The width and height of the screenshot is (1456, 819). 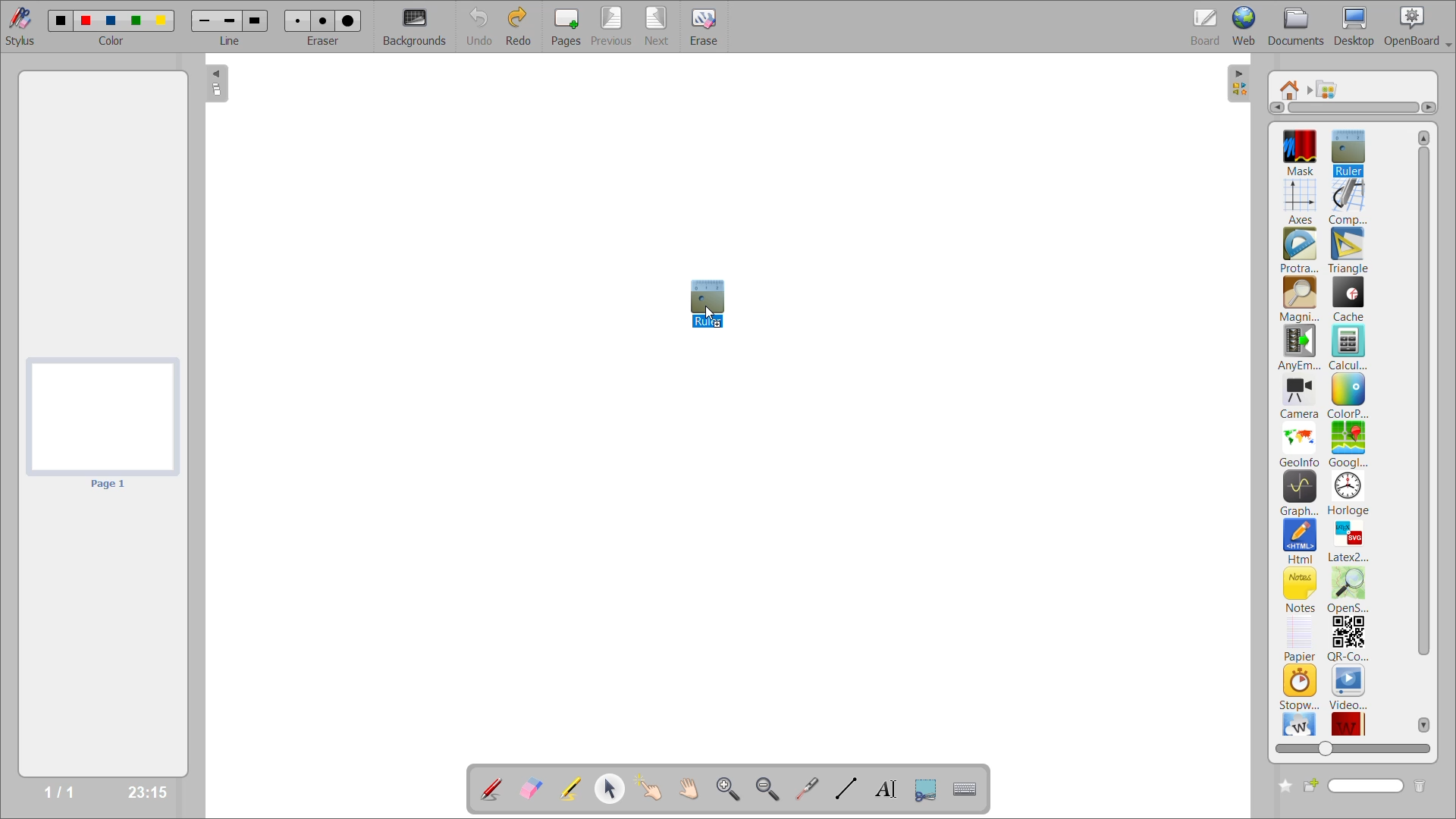 What do you see at coordinates (1301, 348) in the screenshot?
I see `anyembed` at bounding box center [1301, 348].